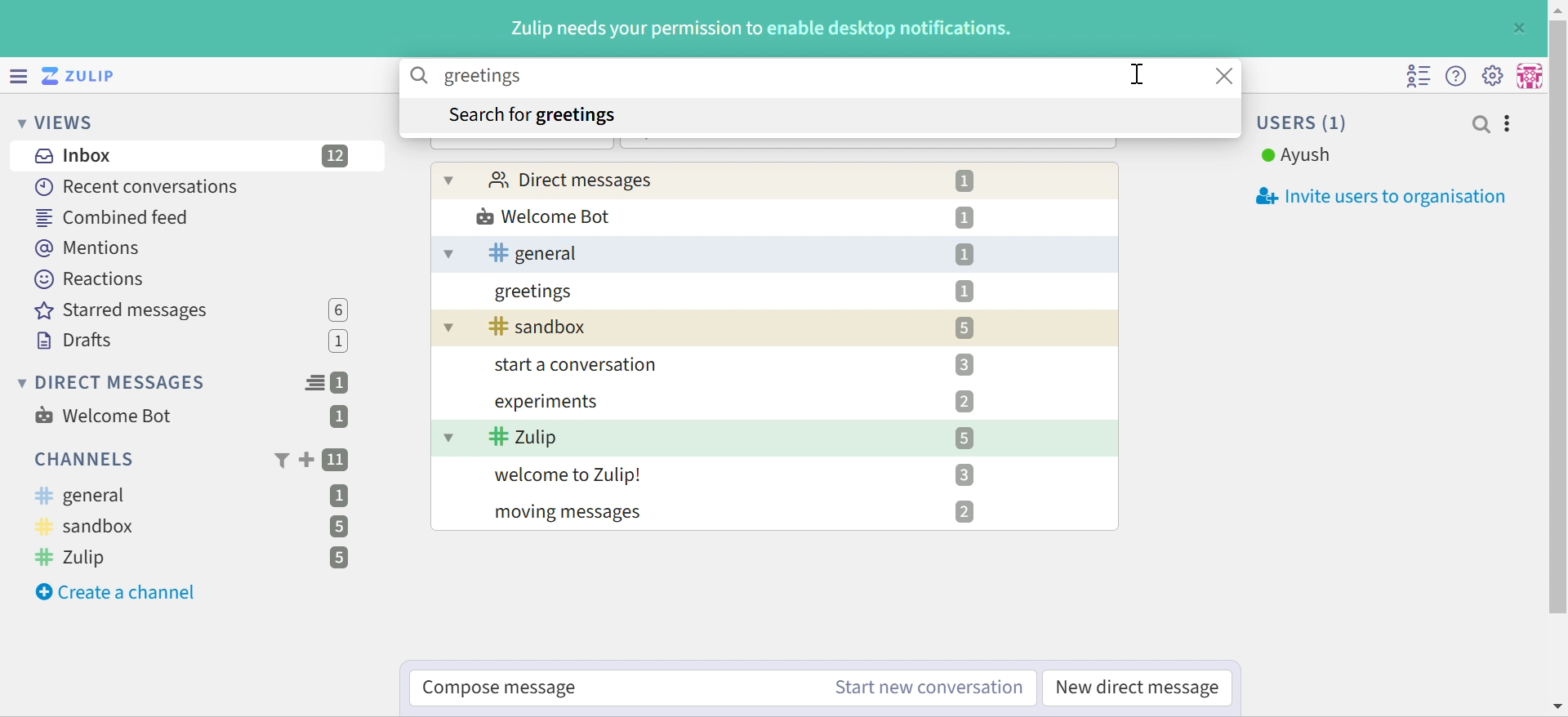 This screenshot has width=1568, height=717. What do you see at coordinates (338, 310) in the screenshot?
I see `6` at bounding box center [338, 310].